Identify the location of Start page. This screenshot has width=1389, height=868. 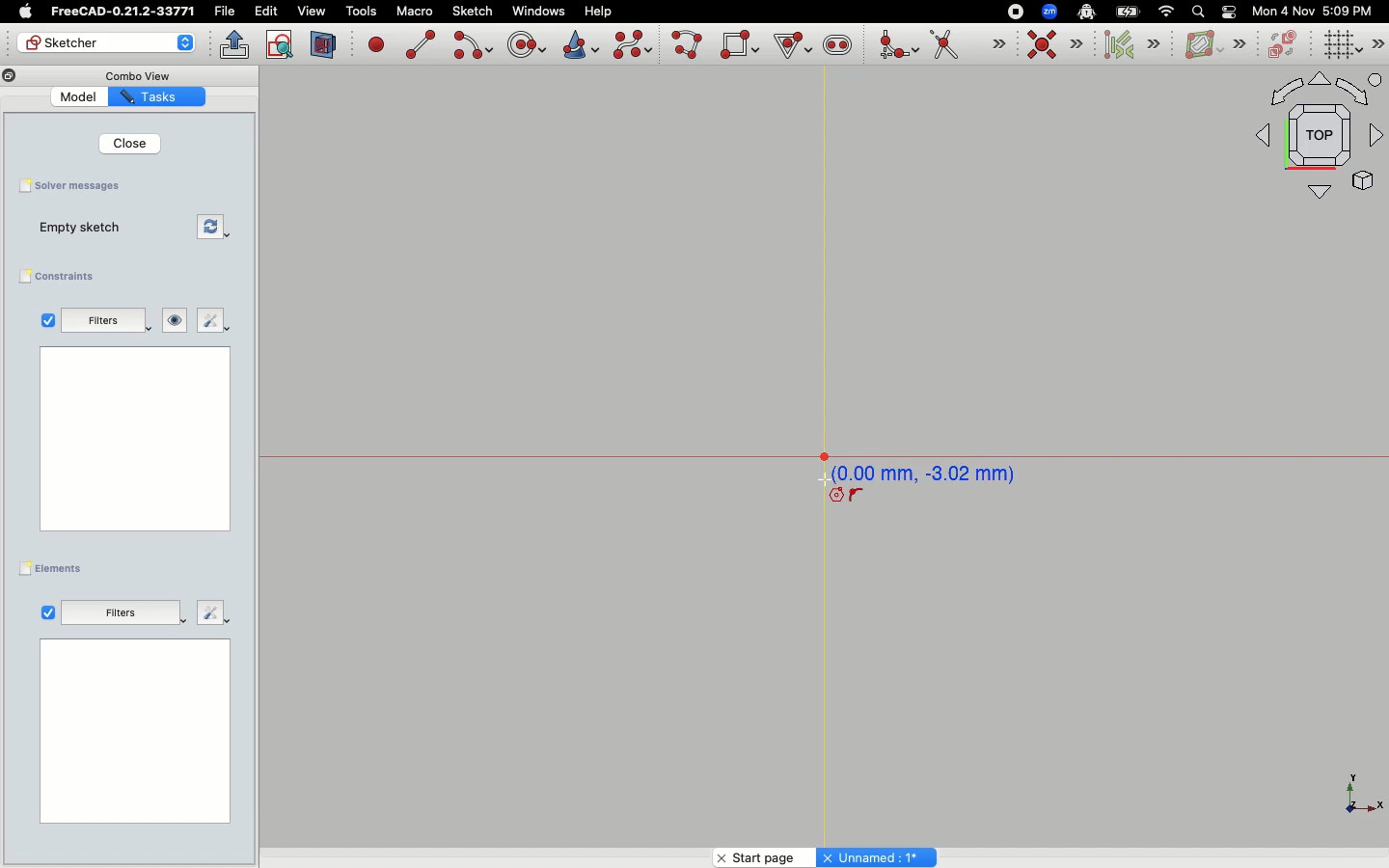
(754, 856).